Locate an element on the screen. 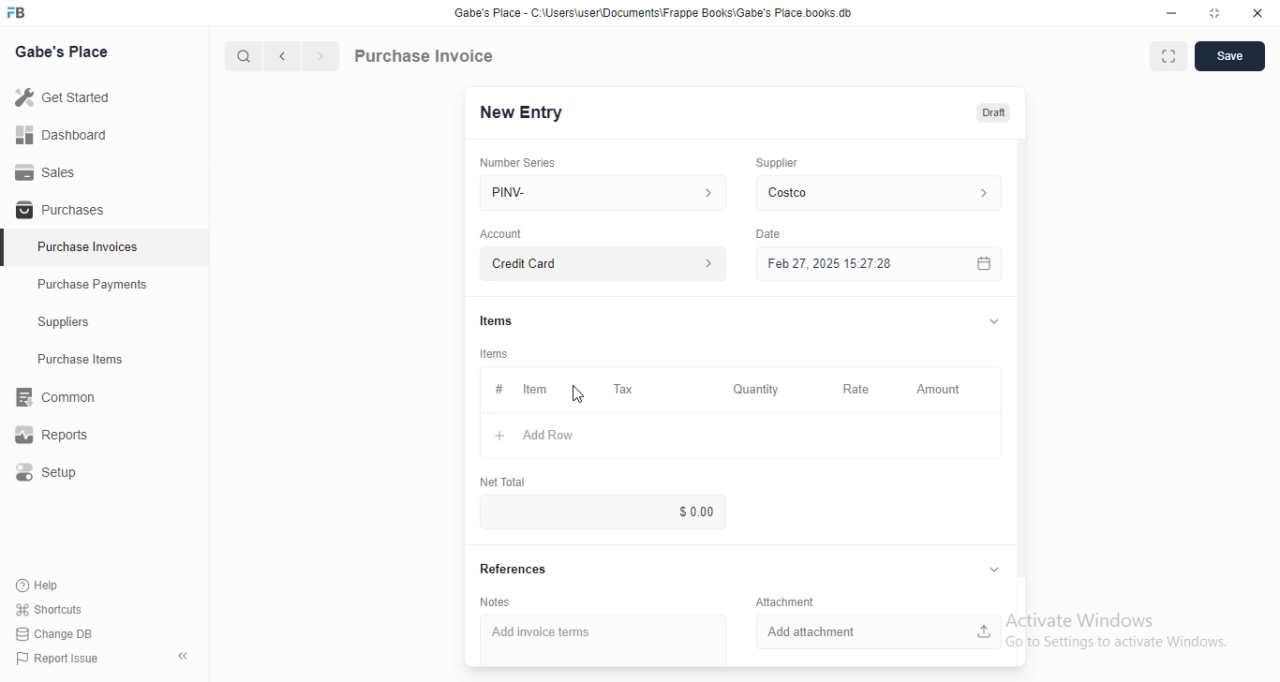 The width and height of the screenshot is (1280, 682). Net Total is located at coordinates (503, 482).